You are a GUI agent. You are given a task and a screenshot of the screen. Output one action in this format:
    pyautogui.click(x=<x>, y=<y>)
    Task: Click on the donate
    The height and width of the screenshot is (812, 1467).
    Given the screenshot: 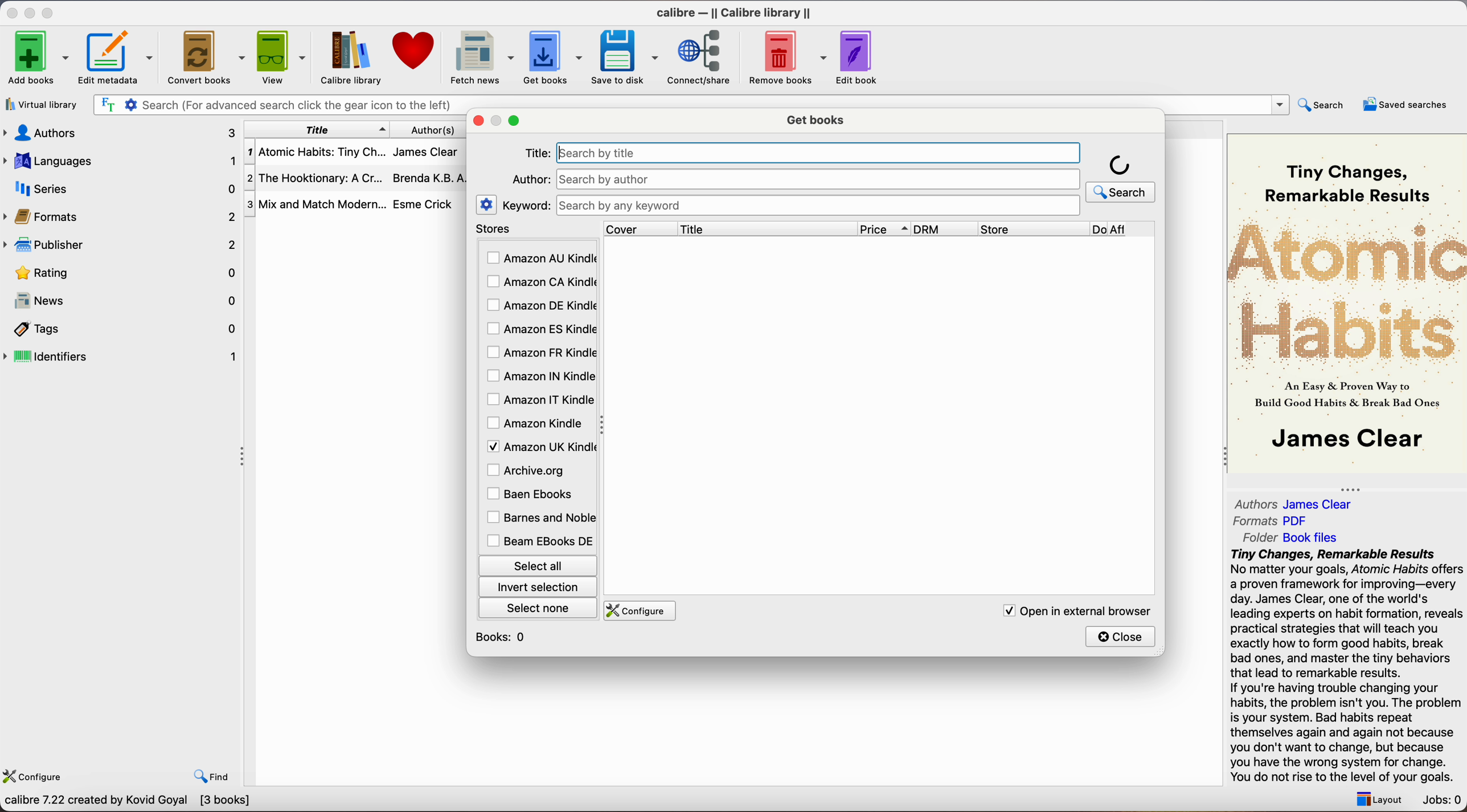 What is the action you would take?
    pyautogui.click(x=415, y=51)
    